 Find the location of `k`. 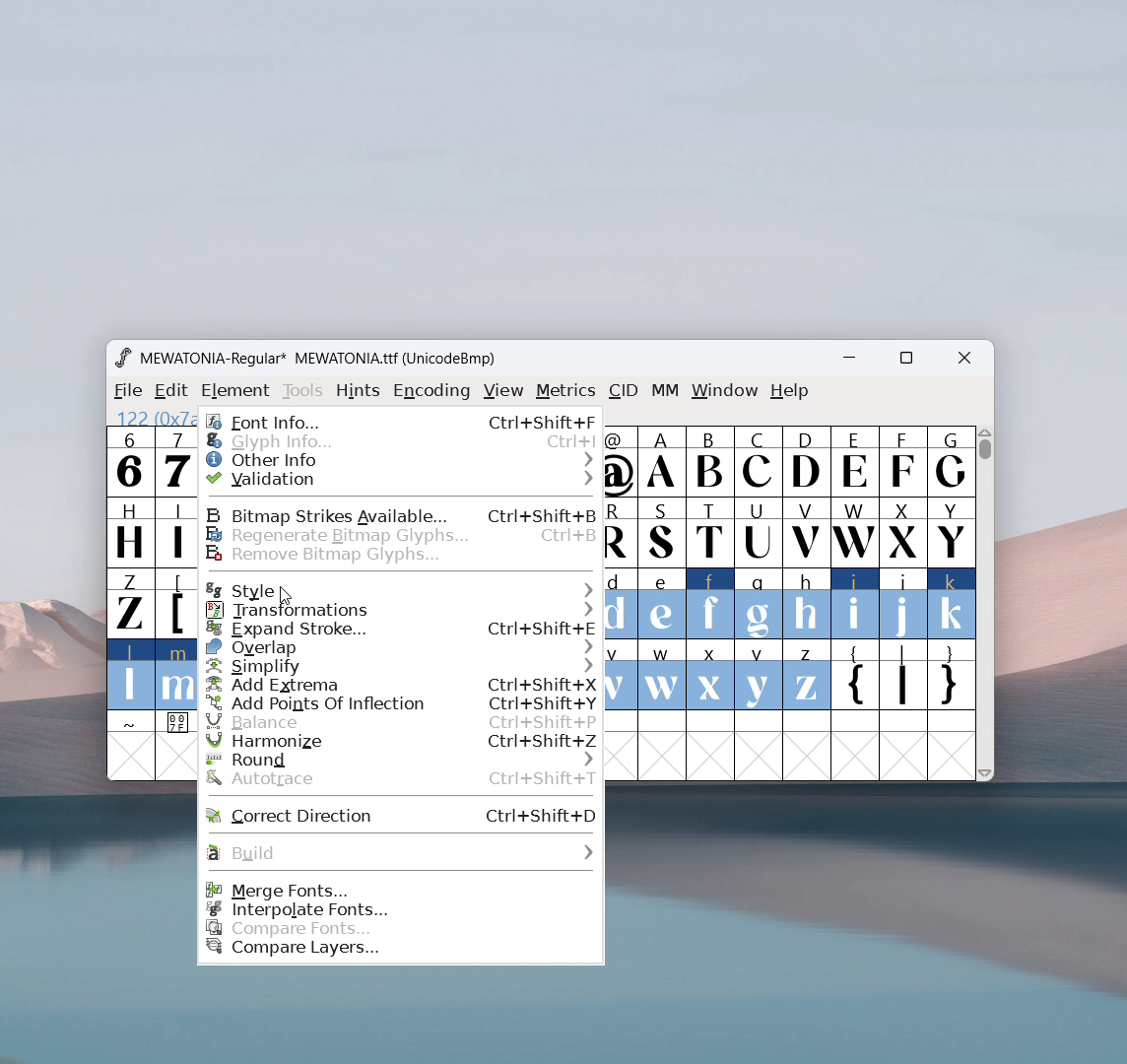

k is located at coordinates (953, 604).